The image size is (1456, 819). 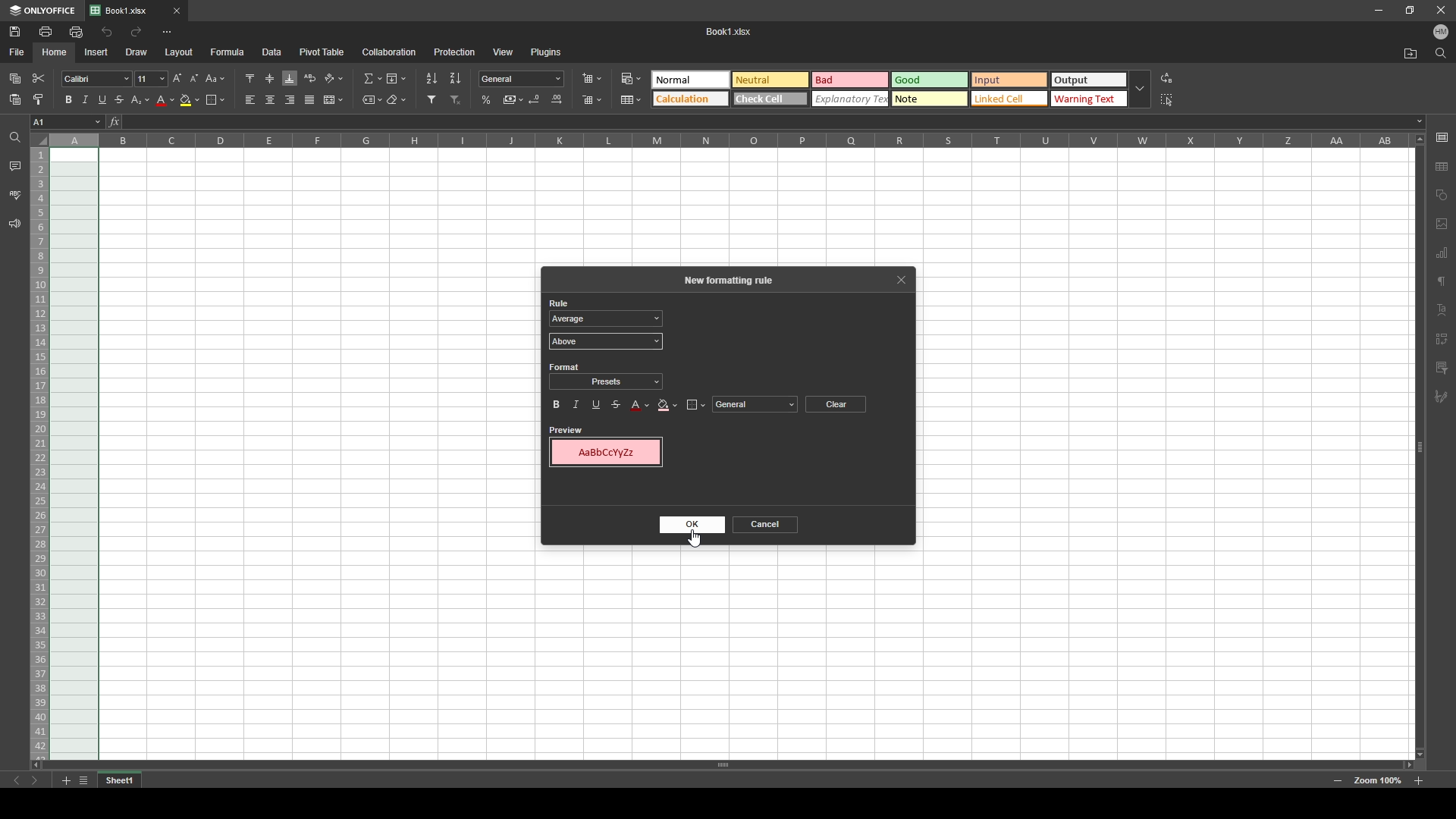 I want to click on save, so click(x=16, y=31).